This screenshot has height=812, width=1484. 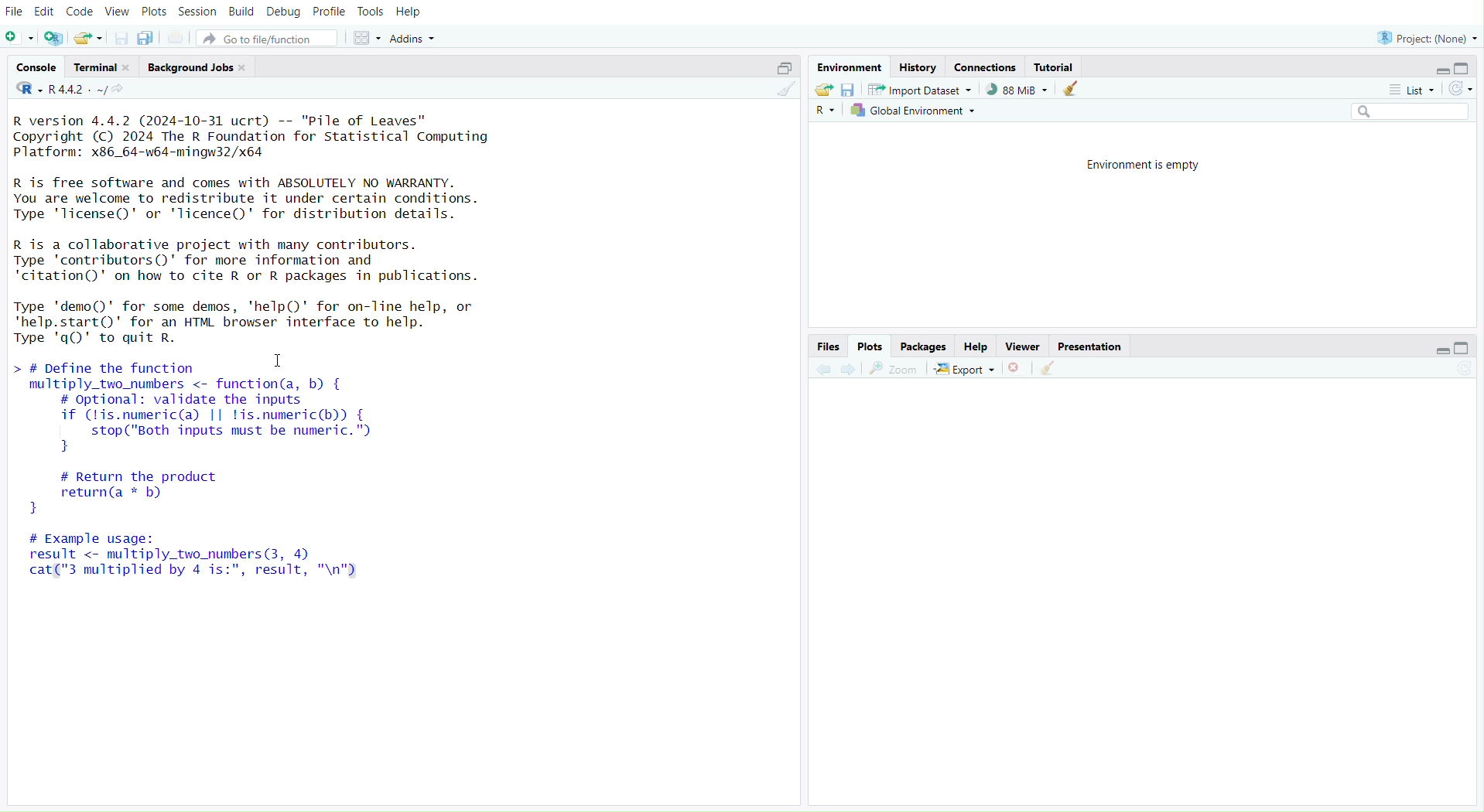 What do you see at coordinates (870, 347) in the screenshot?
I see `Plots` at bounding box center [870, 347].